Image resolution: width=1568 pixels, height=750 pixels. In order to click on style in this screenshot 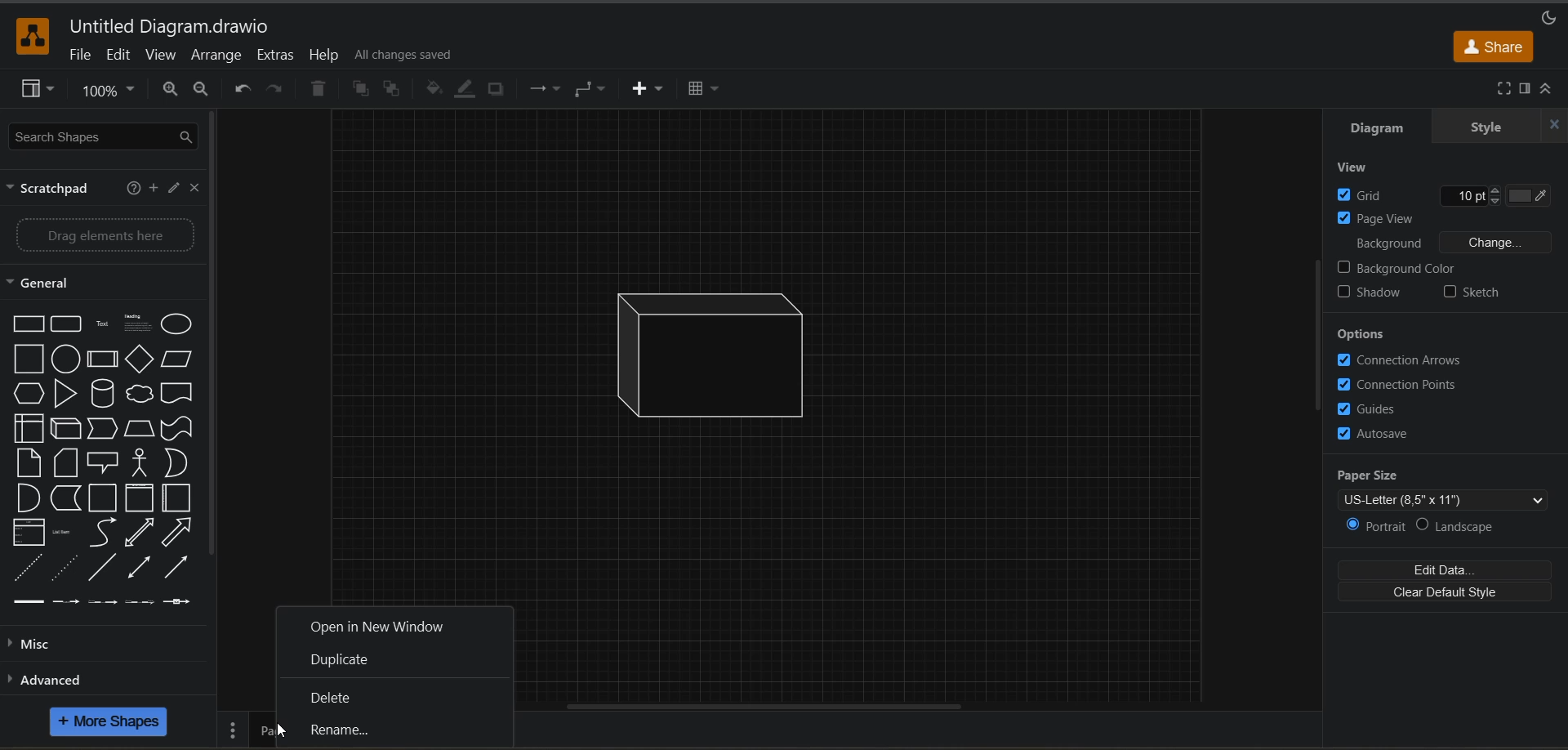, I will do `click(1484, 128)`.